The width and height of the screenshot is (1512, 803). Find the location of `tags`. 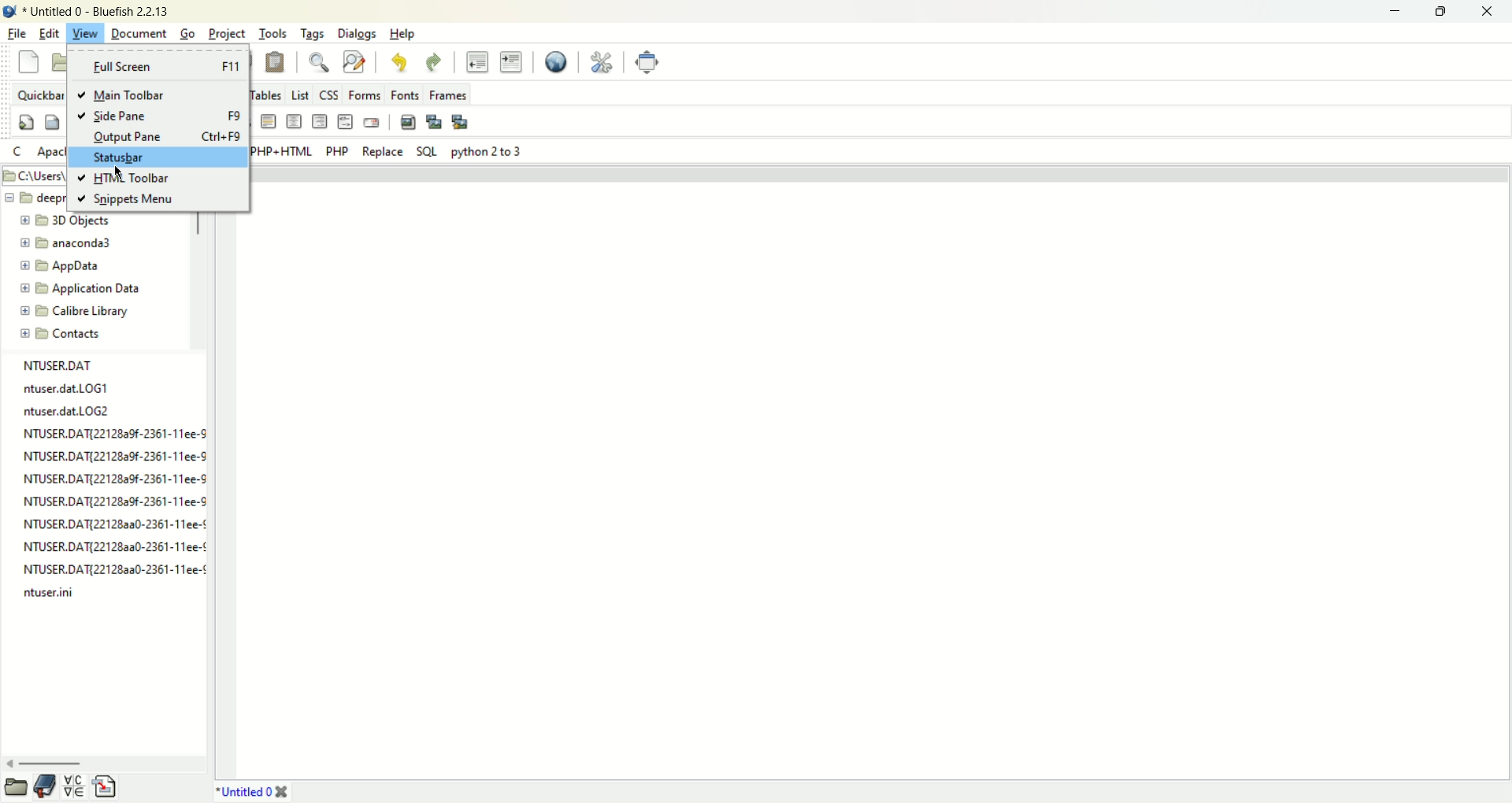

tags is located at coordinates (312, 34).